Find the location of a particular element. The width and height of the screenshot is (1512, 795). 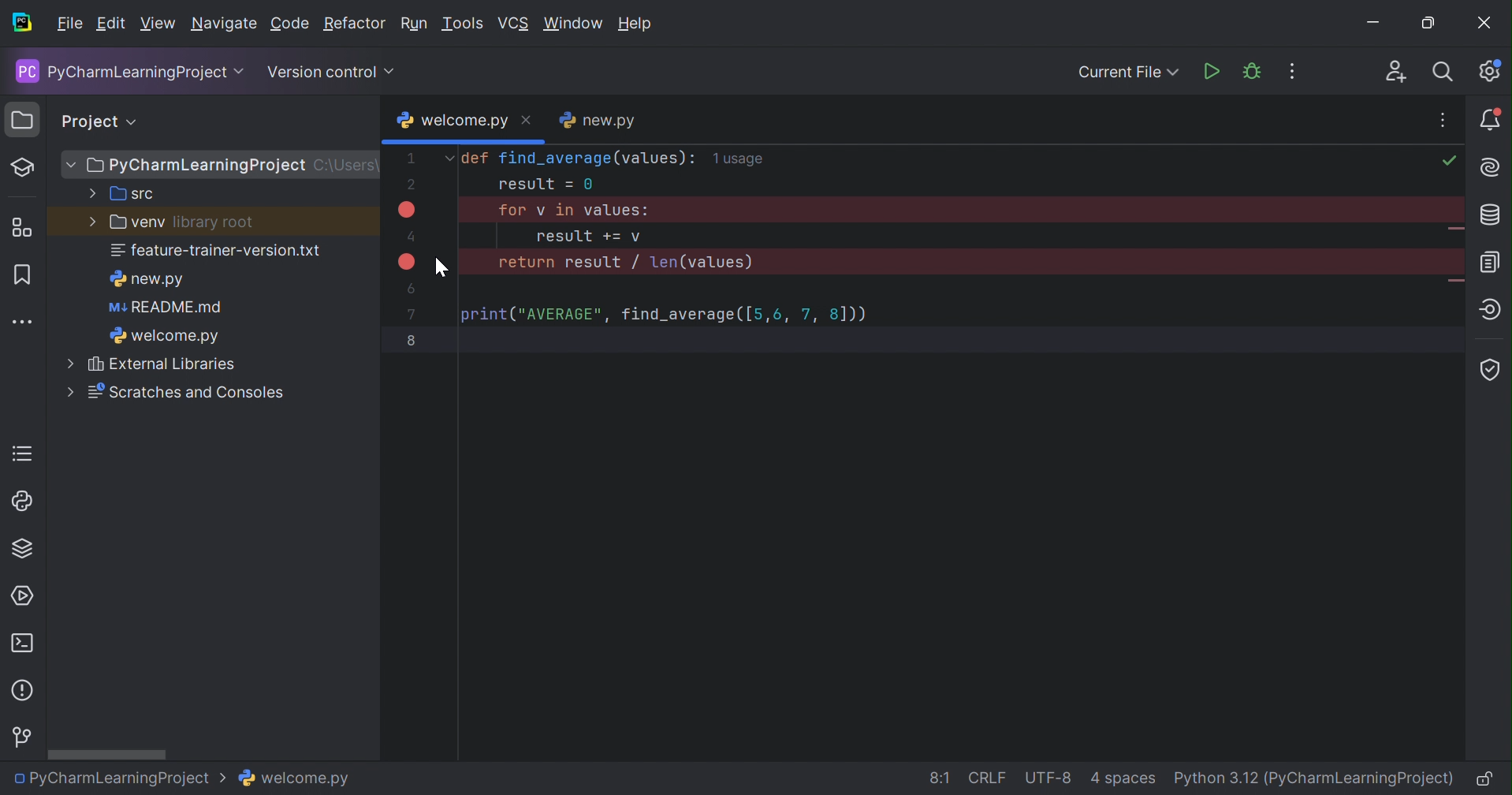

Coverage is located at coordinates (1492, 368).